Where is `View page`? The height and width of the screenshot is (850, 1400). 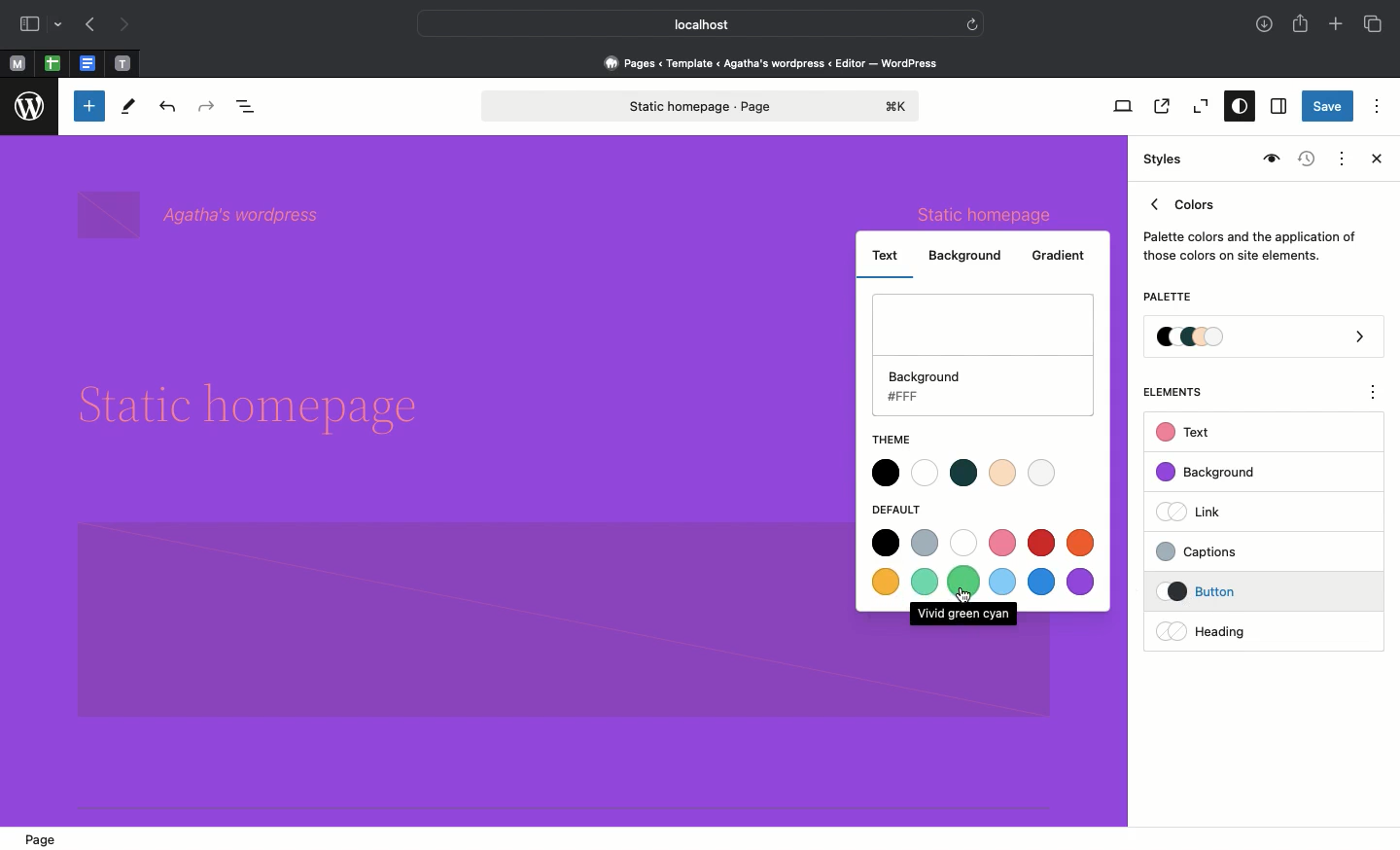 View page is located at coordinates (1160, 106).